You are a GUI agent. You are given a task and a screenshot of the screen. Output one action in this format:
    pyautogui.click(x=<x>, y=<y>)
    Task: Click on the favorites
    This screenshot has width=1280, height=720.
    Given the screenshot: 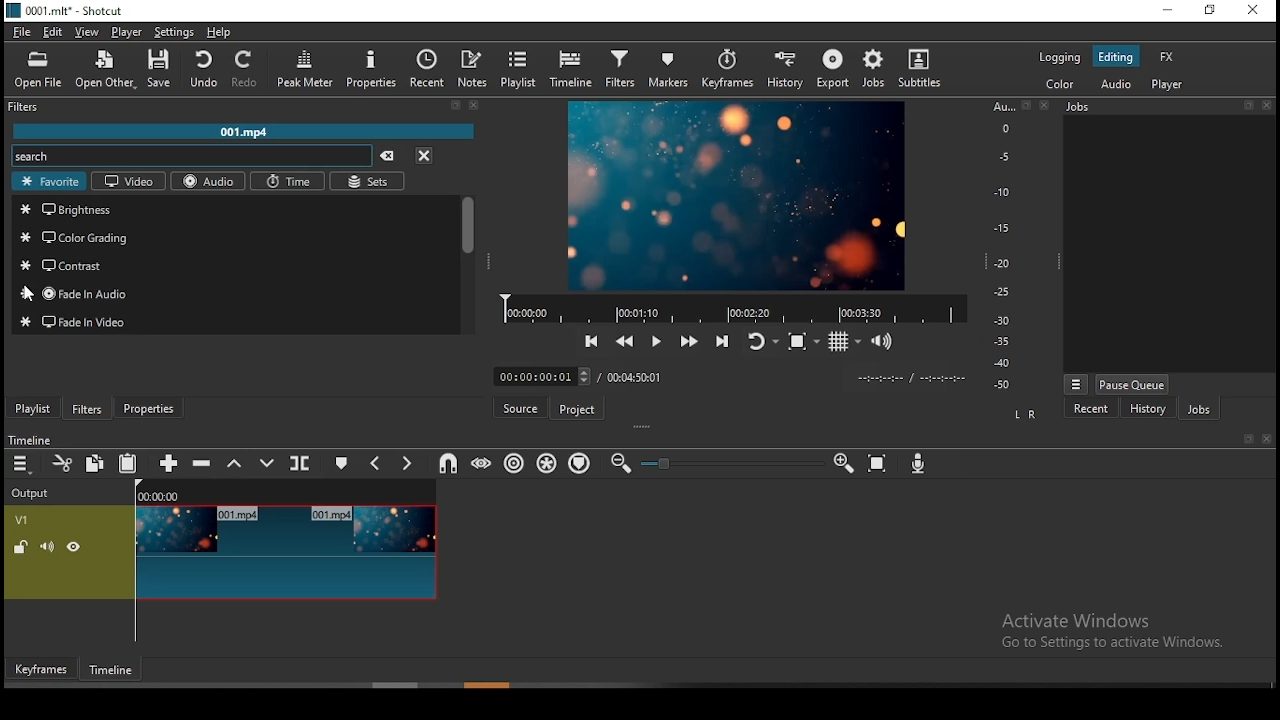 What is the action you would take?
    pyautogui.click(x=48, y=181)
    